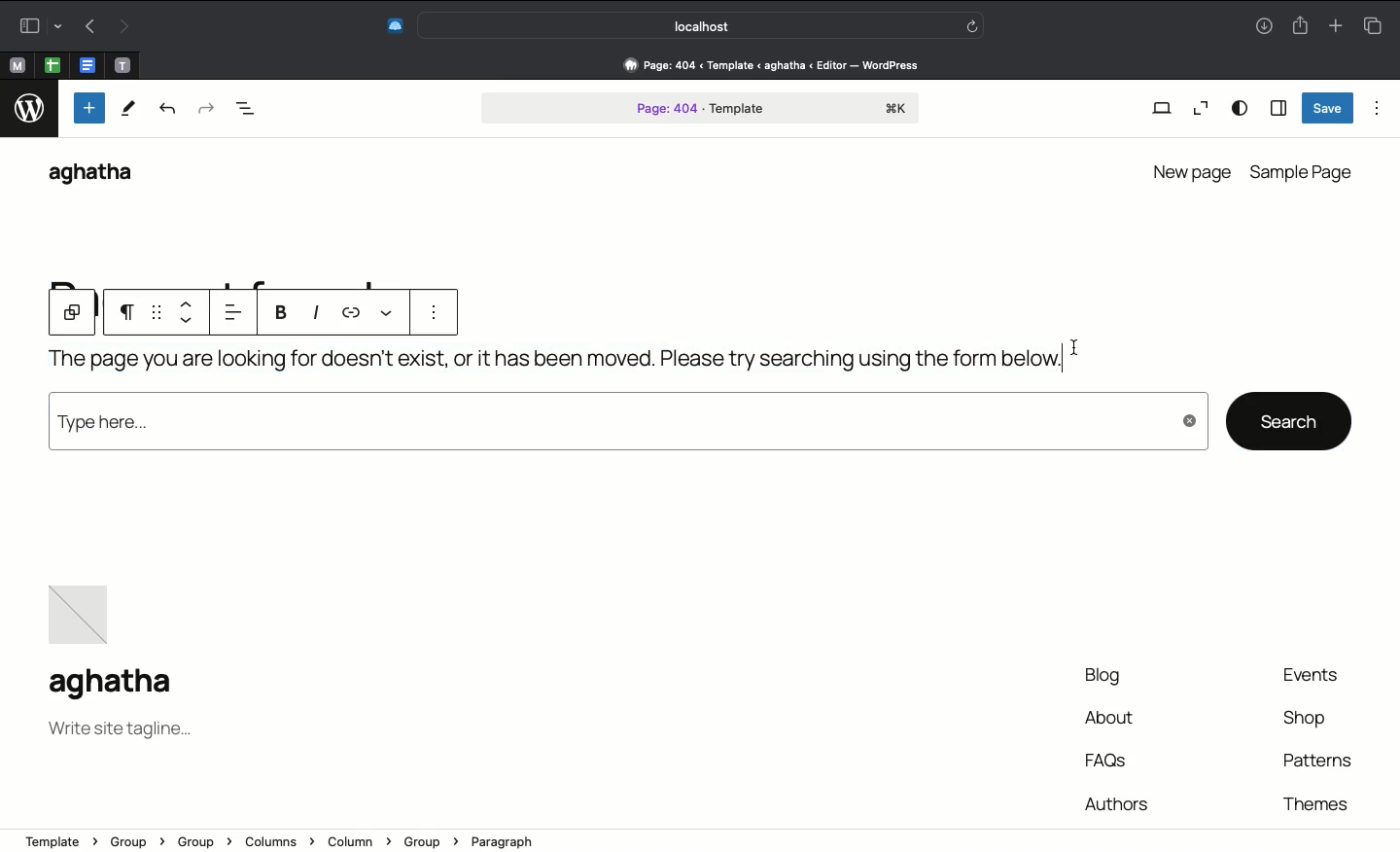  Describe the element at coordinates (1161, 110) in the screenshot. I see `View` at that location.